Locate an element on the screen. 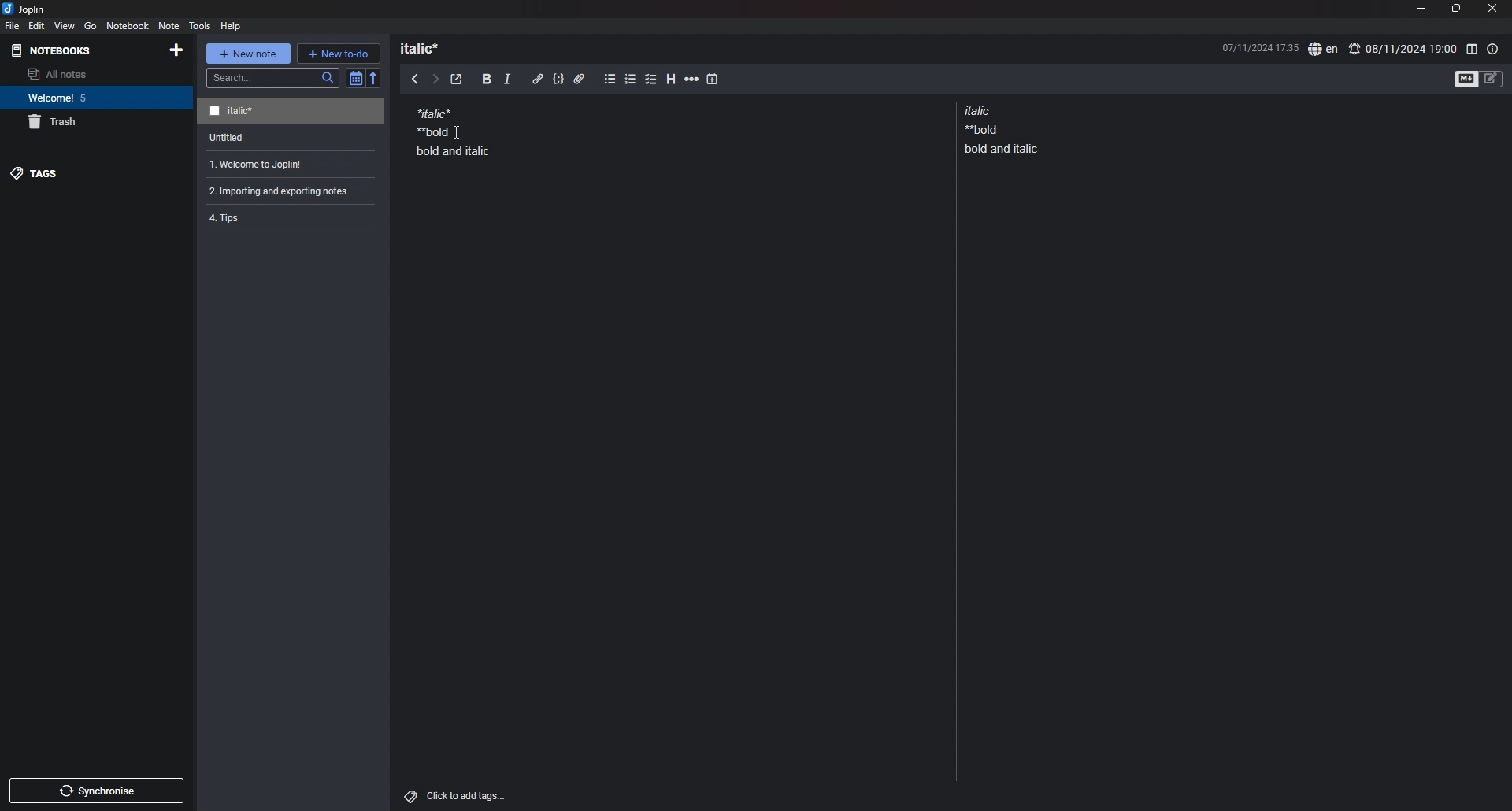 The width and height of the screenshot is (1512, 811). notebook is located at coordinates (128, 25).